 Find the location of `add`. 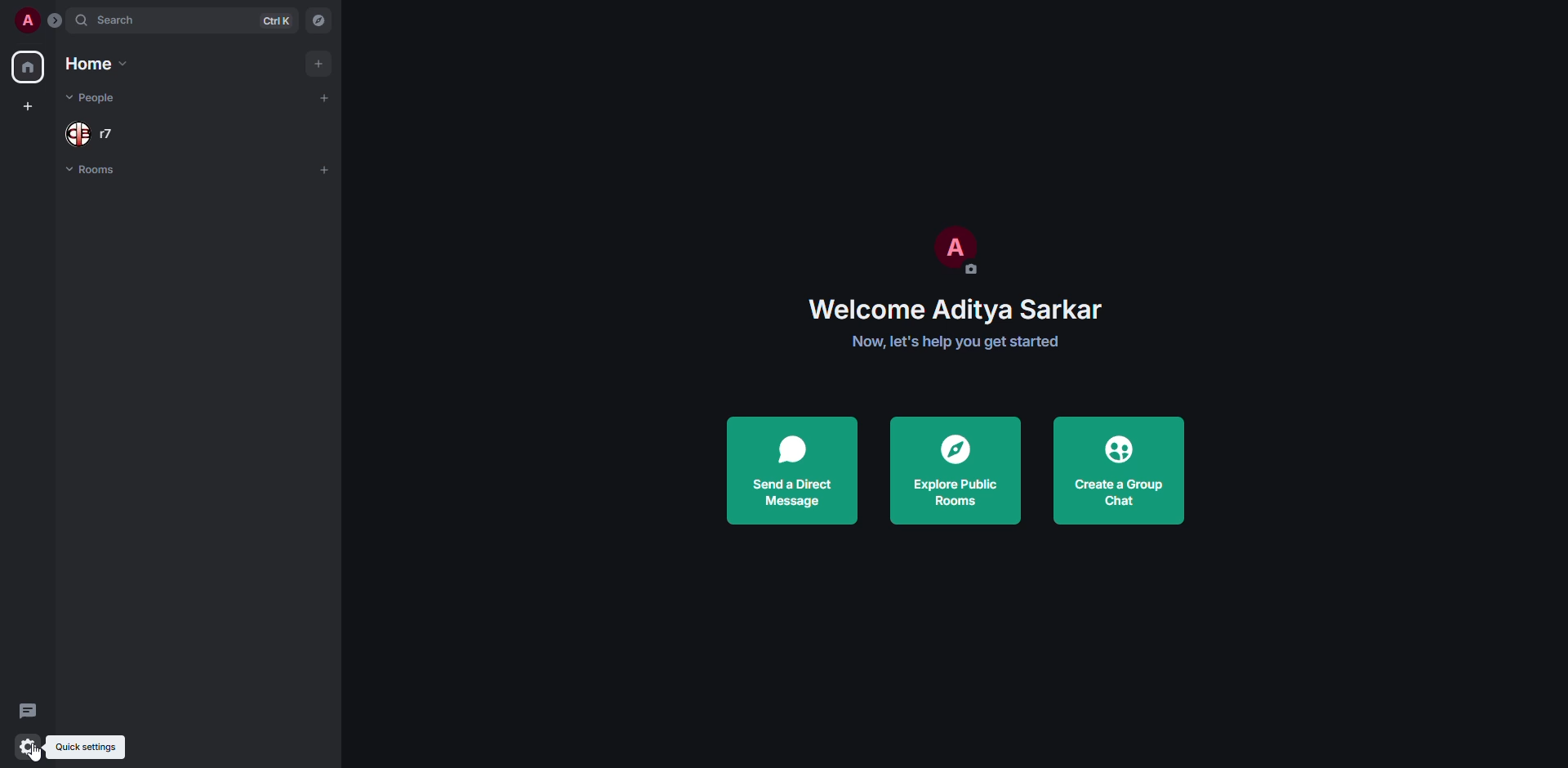

add is located at coordinates (325, 168).